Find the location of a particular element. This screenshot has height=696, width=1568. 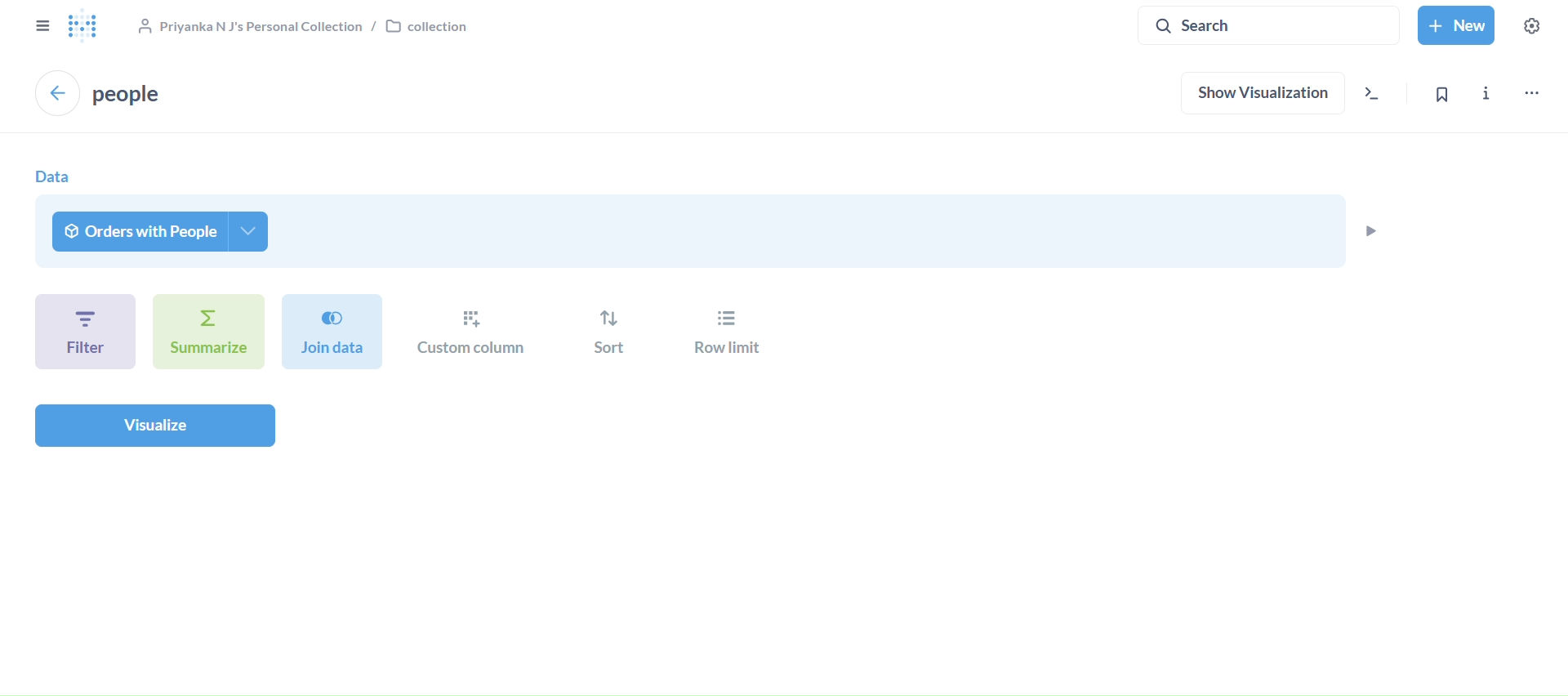

view the sql is located at coordinates (1378, 96).